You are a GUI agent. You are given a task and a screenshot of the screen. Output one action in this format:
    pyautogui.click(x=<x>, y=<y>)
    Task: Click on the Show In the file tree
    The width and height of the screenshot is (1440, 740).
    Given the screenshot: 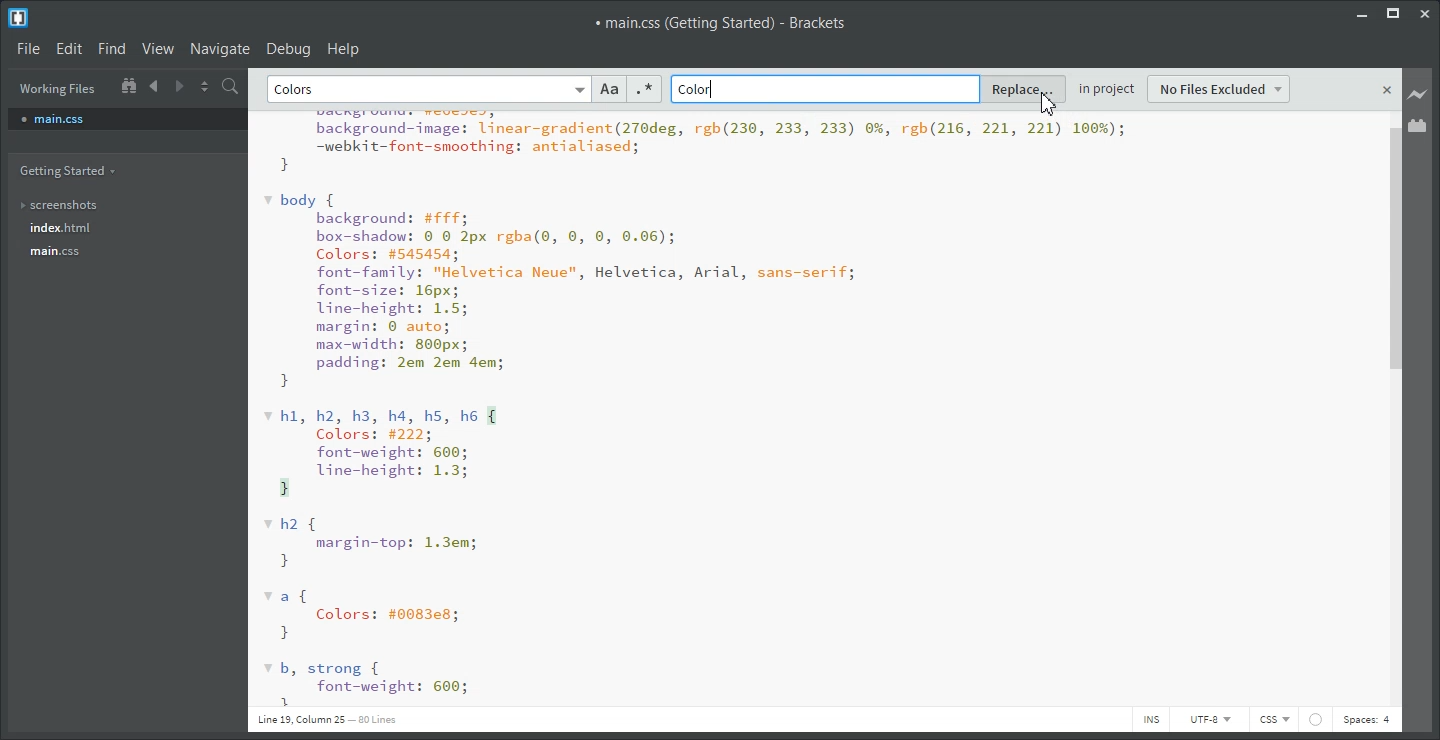 What is the action you would take?
    pyautogui.click(x=128, y=84)
    